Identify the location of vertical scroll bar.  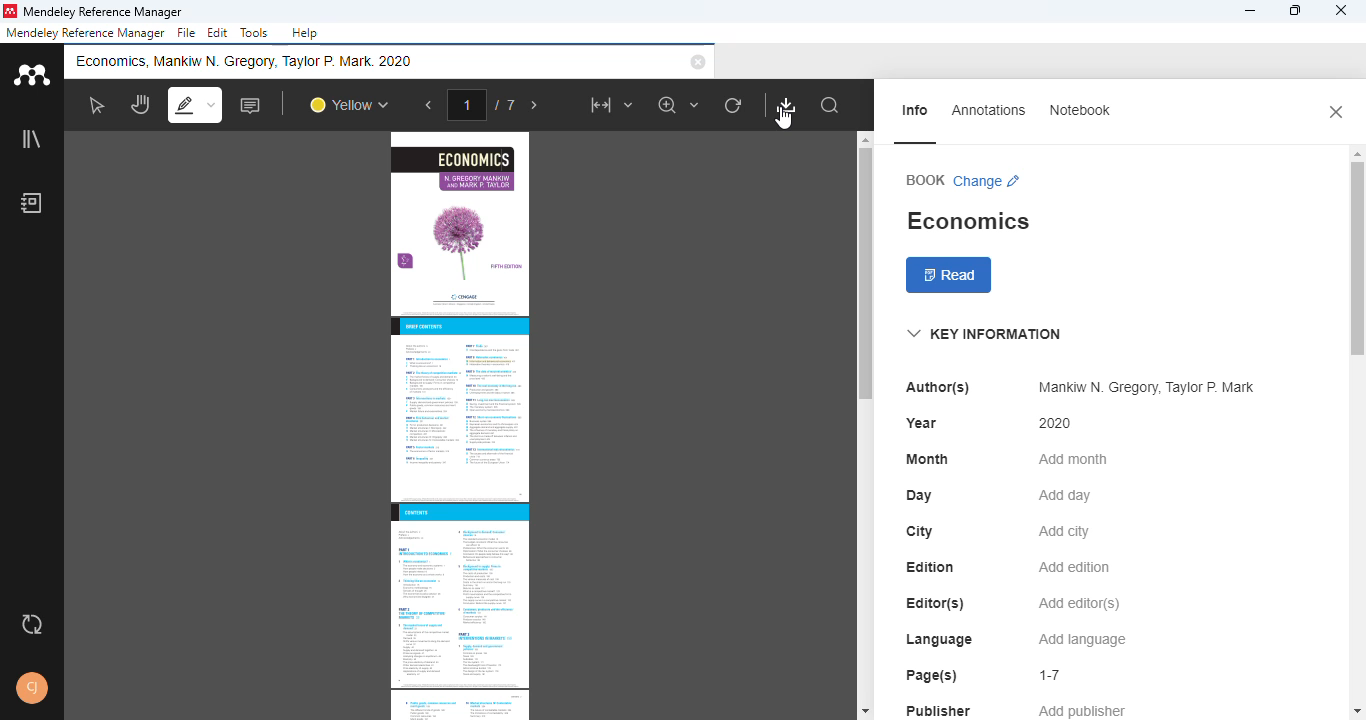
(862, 275).